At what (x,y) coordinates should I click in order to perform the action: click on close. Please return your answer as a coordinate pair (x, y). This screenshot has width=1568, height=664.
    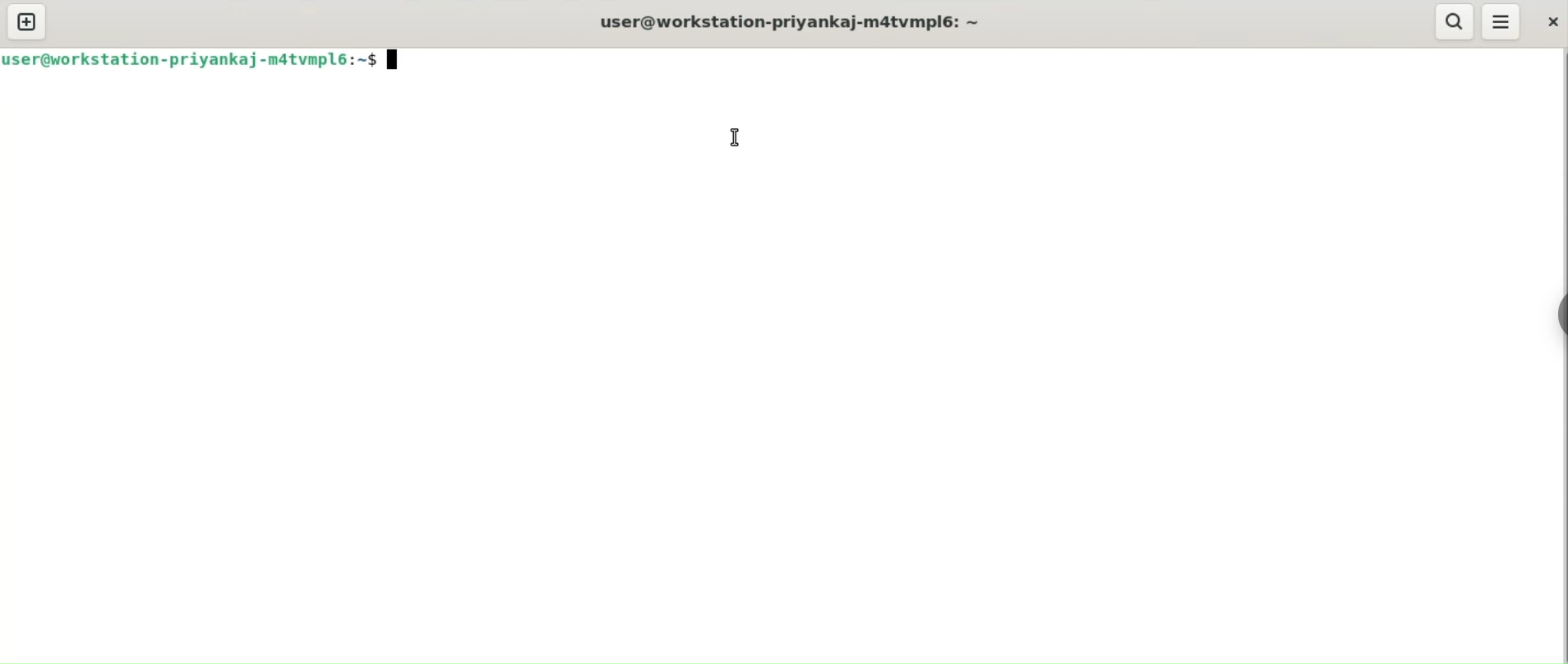
    Looking at the image, I should click on (1554, 24).